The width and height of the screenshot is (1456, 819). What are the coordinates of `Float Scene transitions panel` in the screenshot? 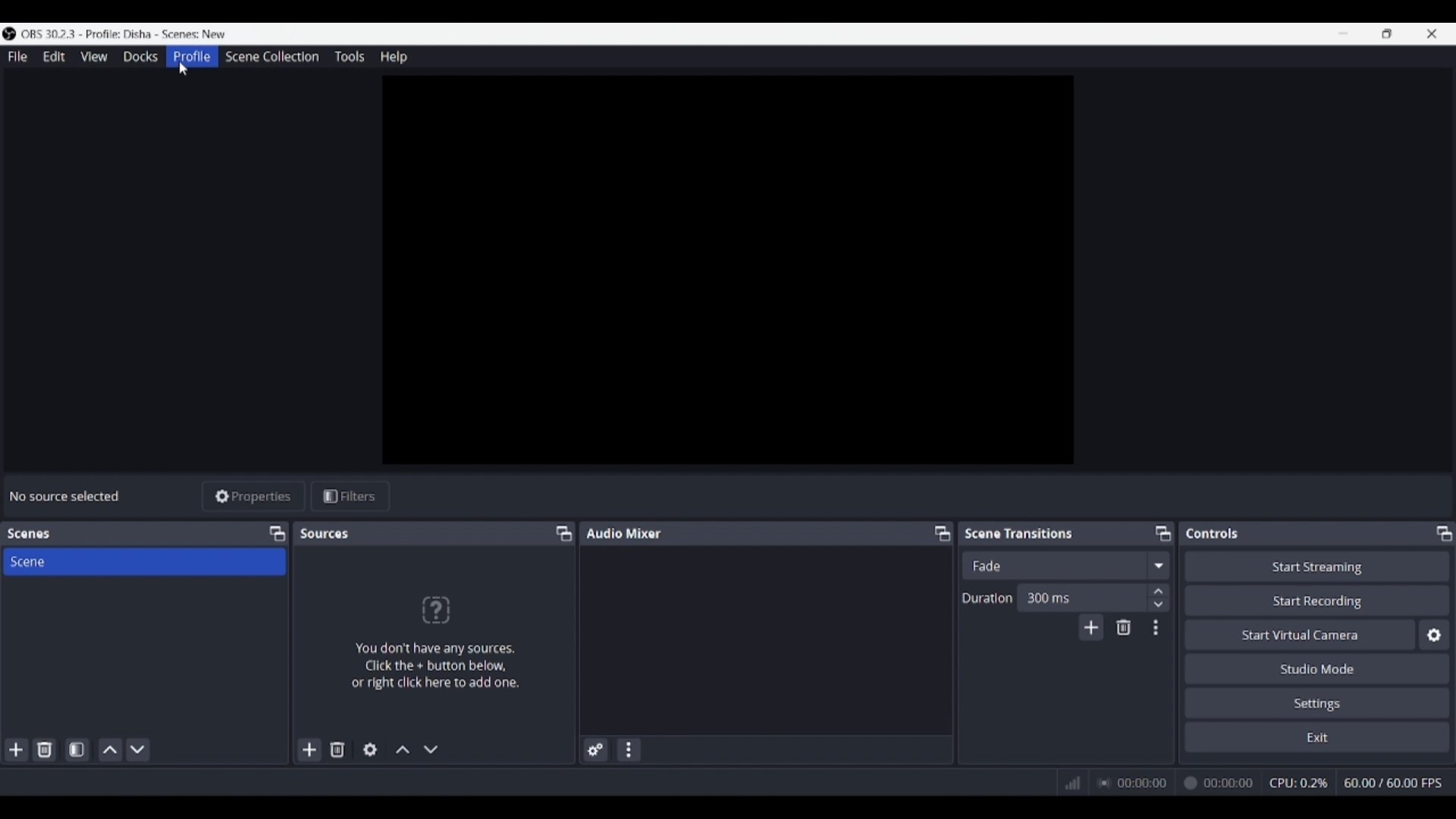 It's located at (1163, 533).